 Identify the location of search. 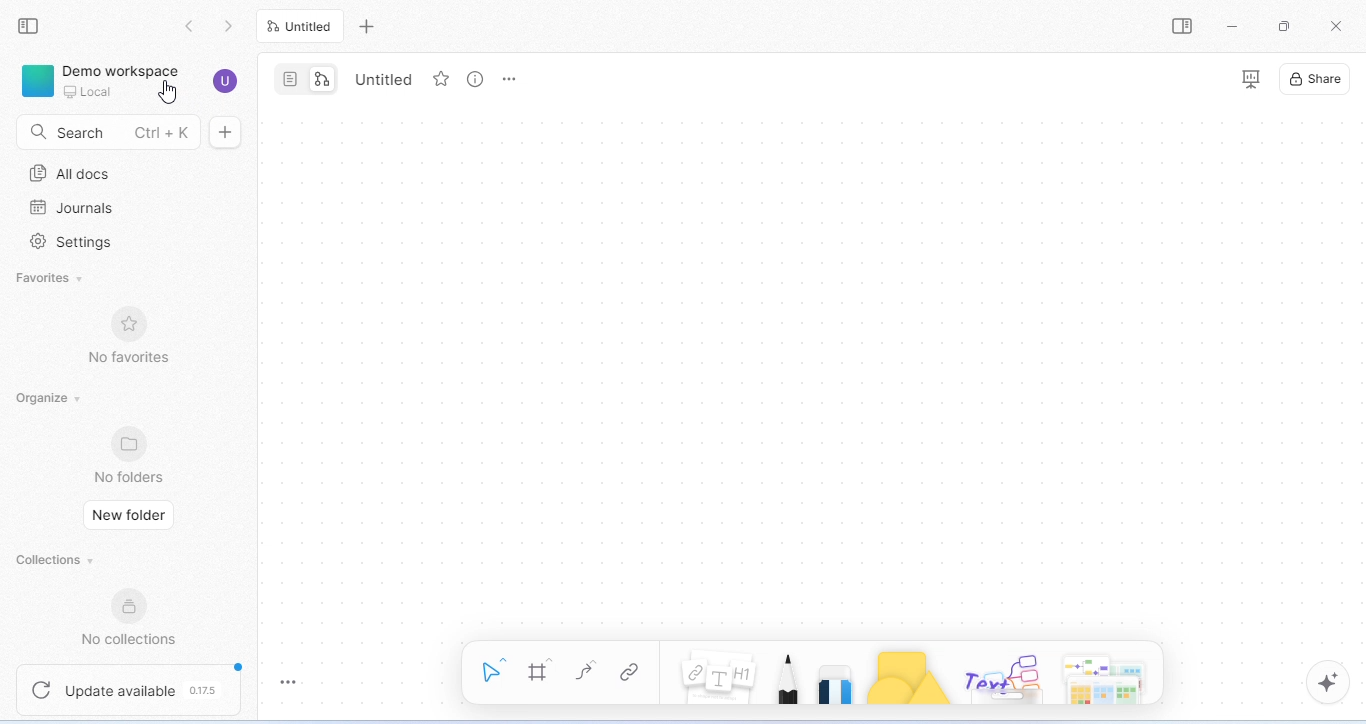
(109, 132).